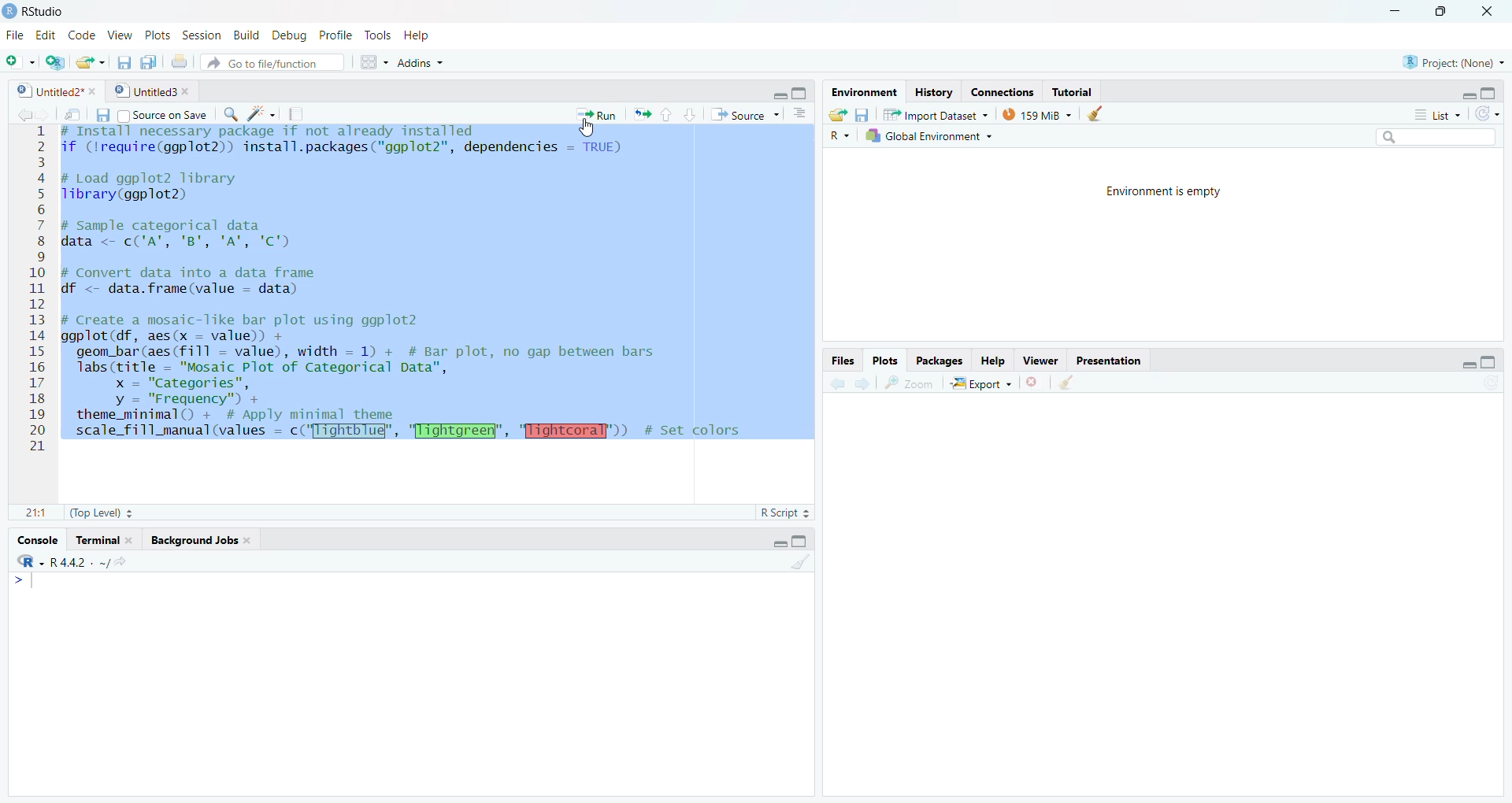  I want to click on Viewer, so click(1042, 361).